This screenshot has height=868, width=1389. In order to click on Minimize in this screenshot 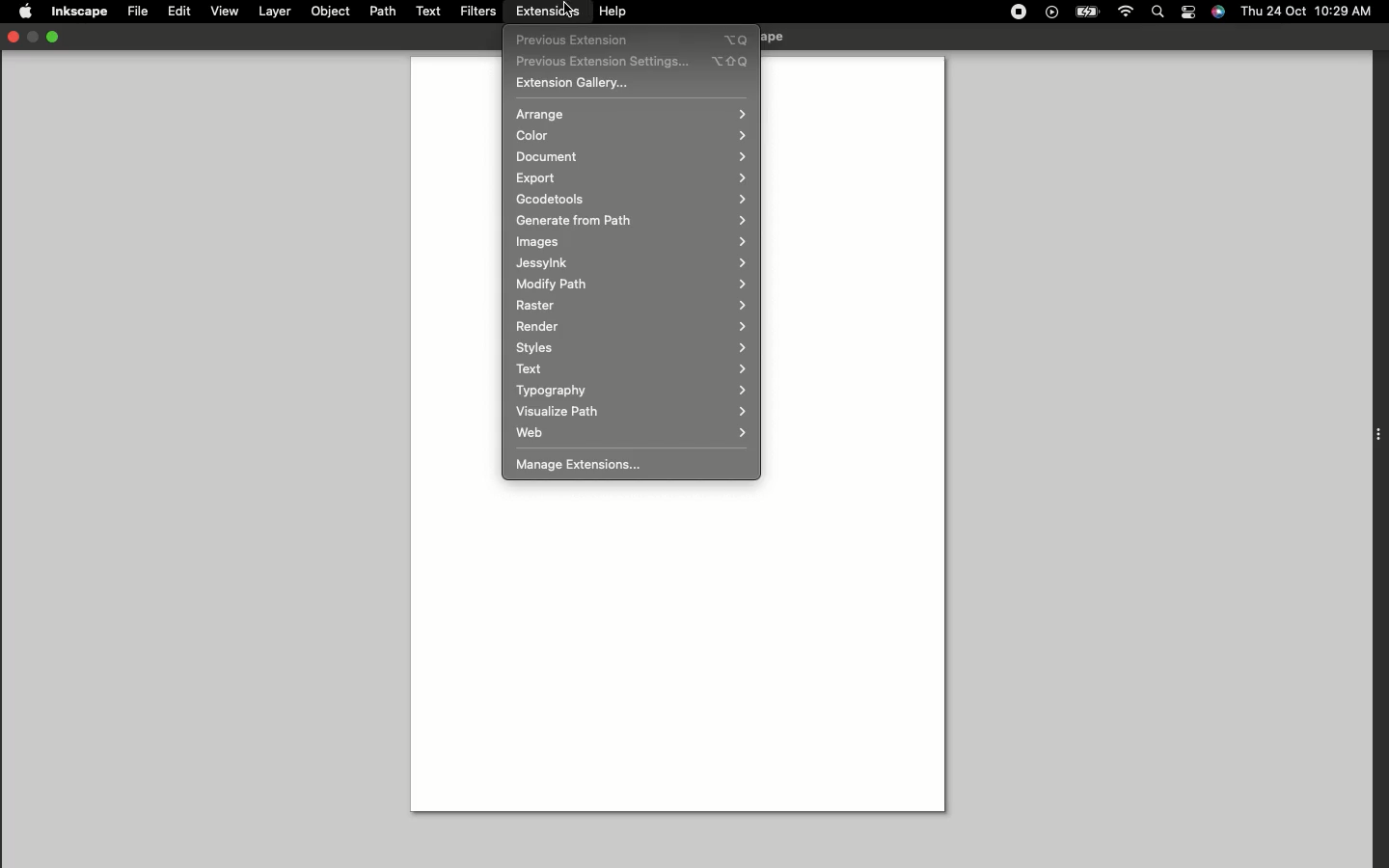, I will do `click(57, 39)`.